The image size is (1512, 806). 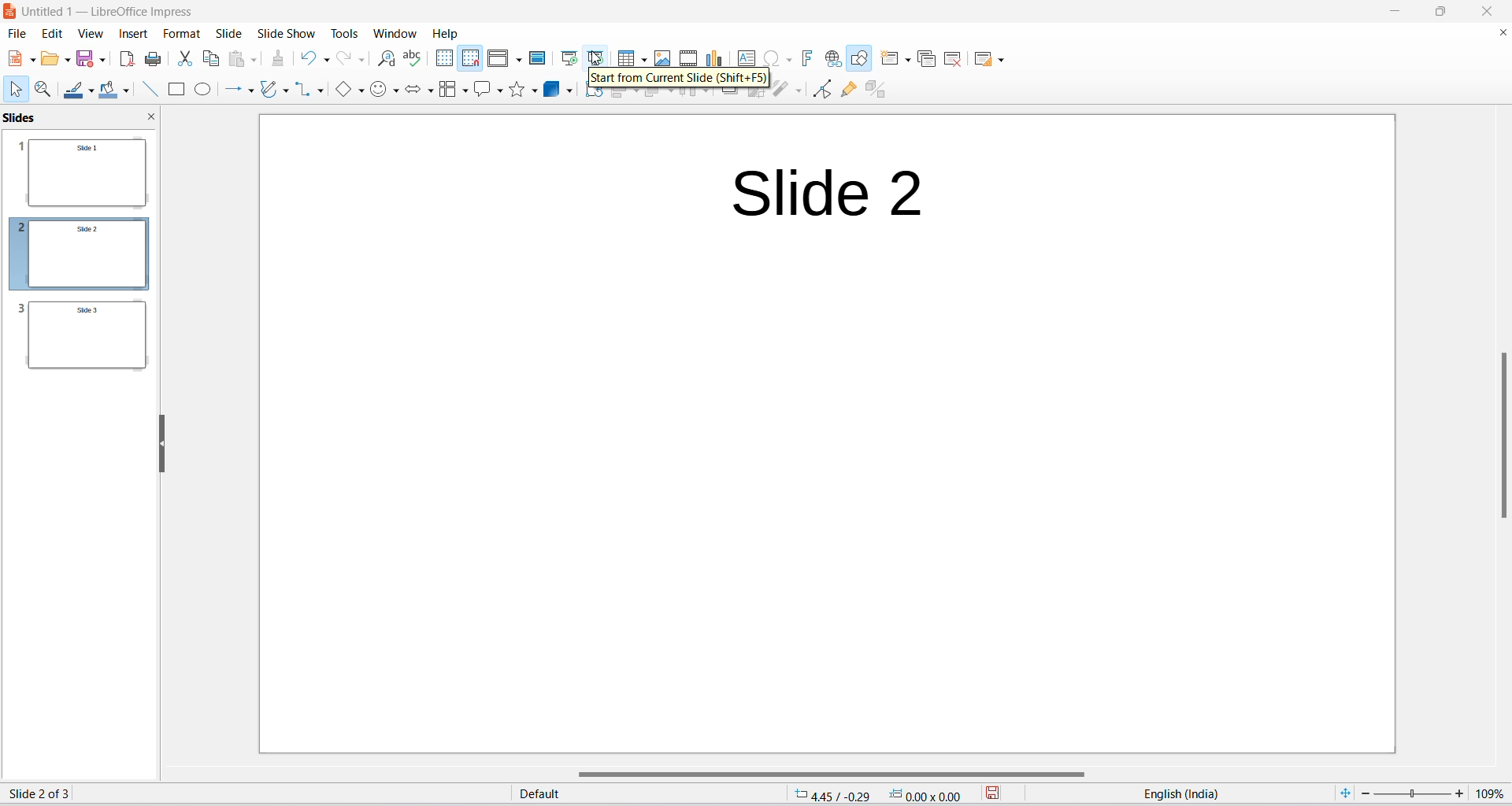 I want to click on undo, so click(x=306, y=61).